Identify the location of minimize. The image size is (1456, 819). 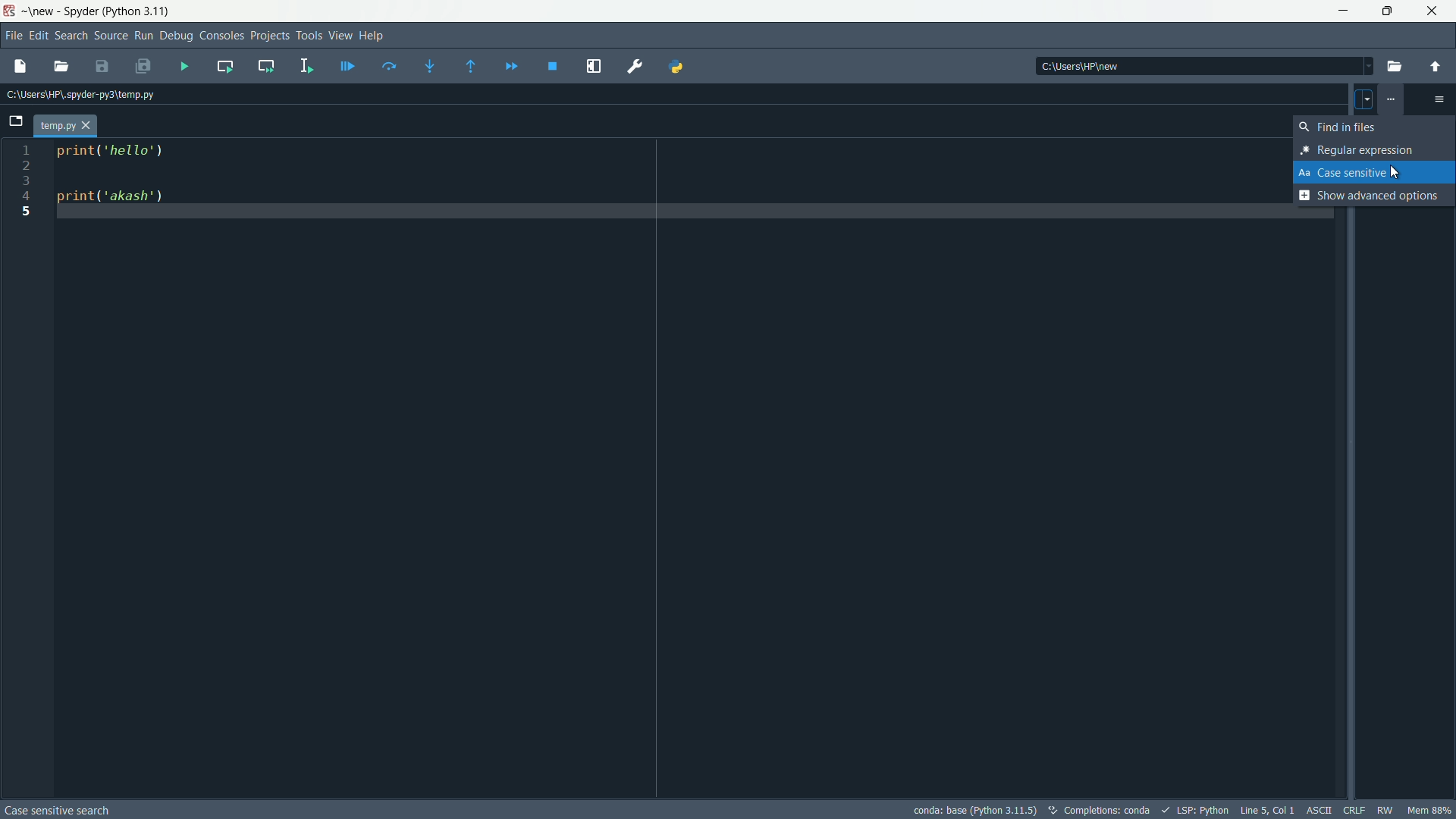
(1344, 11).